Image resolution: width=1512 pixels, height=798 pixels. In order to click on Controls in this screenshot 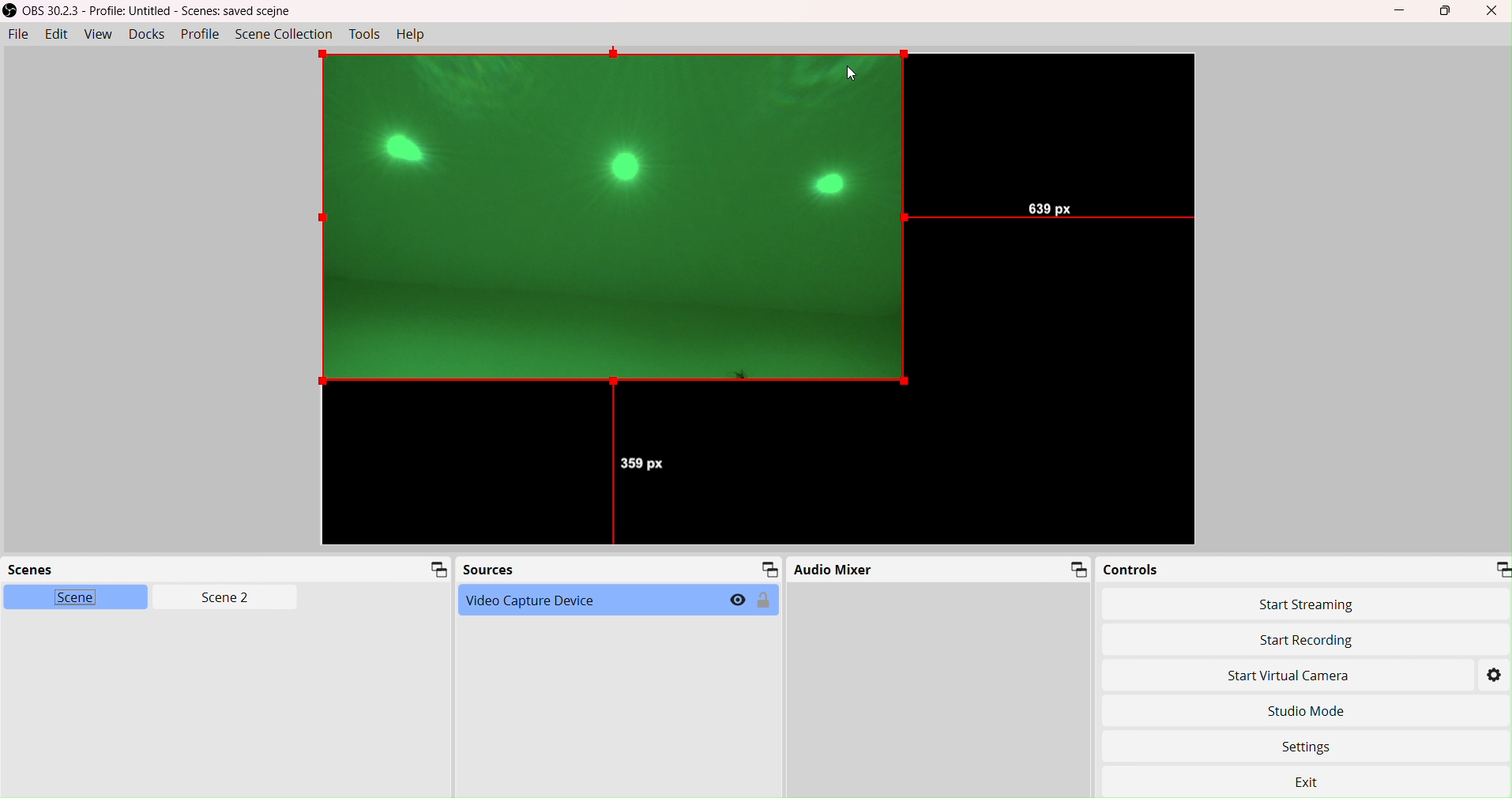, I will do `click(1305, 568)`.